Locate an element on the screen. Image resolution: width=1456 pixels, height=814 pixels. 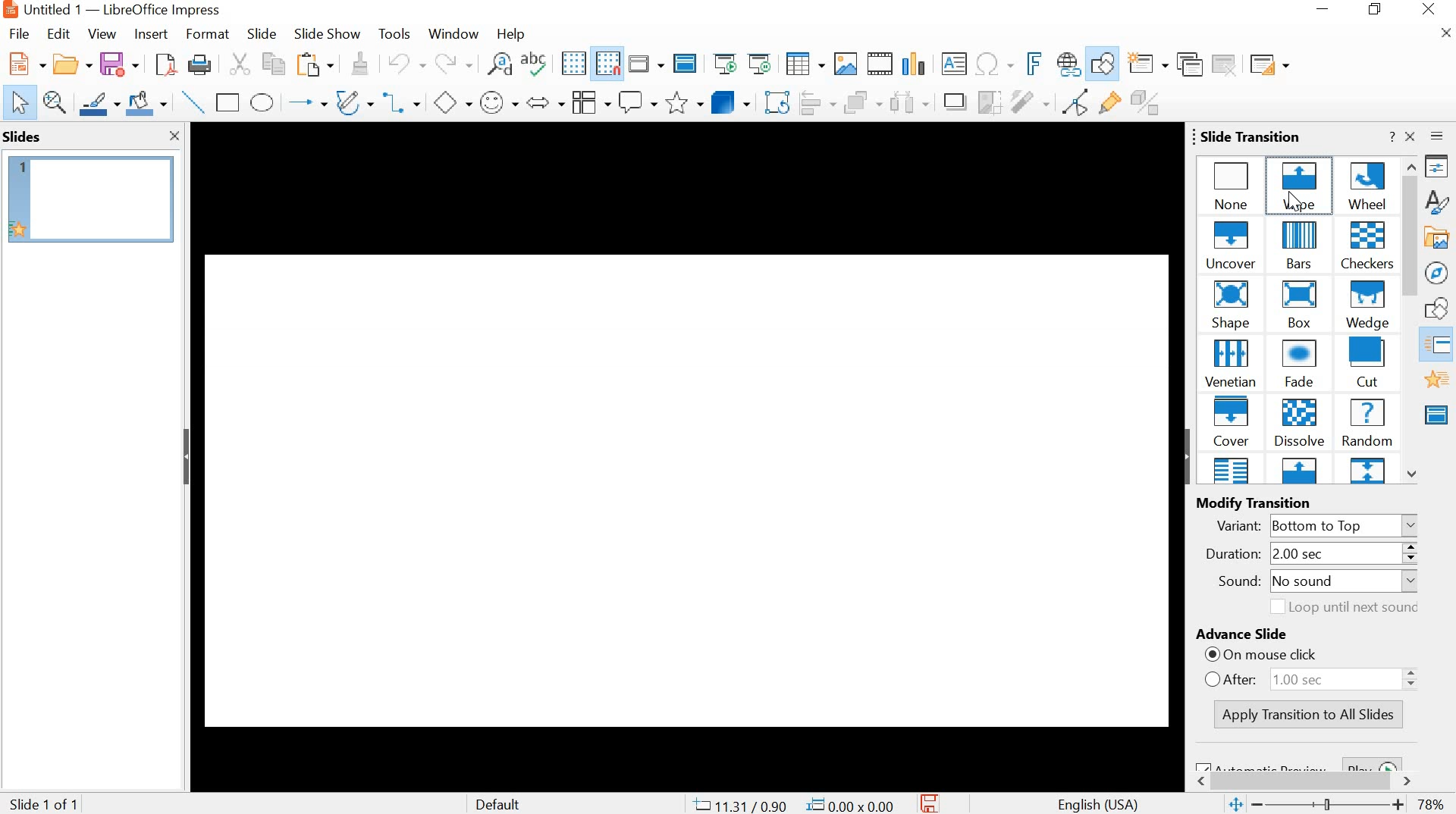
Insert audio or video is located at coordinates (882, 64).